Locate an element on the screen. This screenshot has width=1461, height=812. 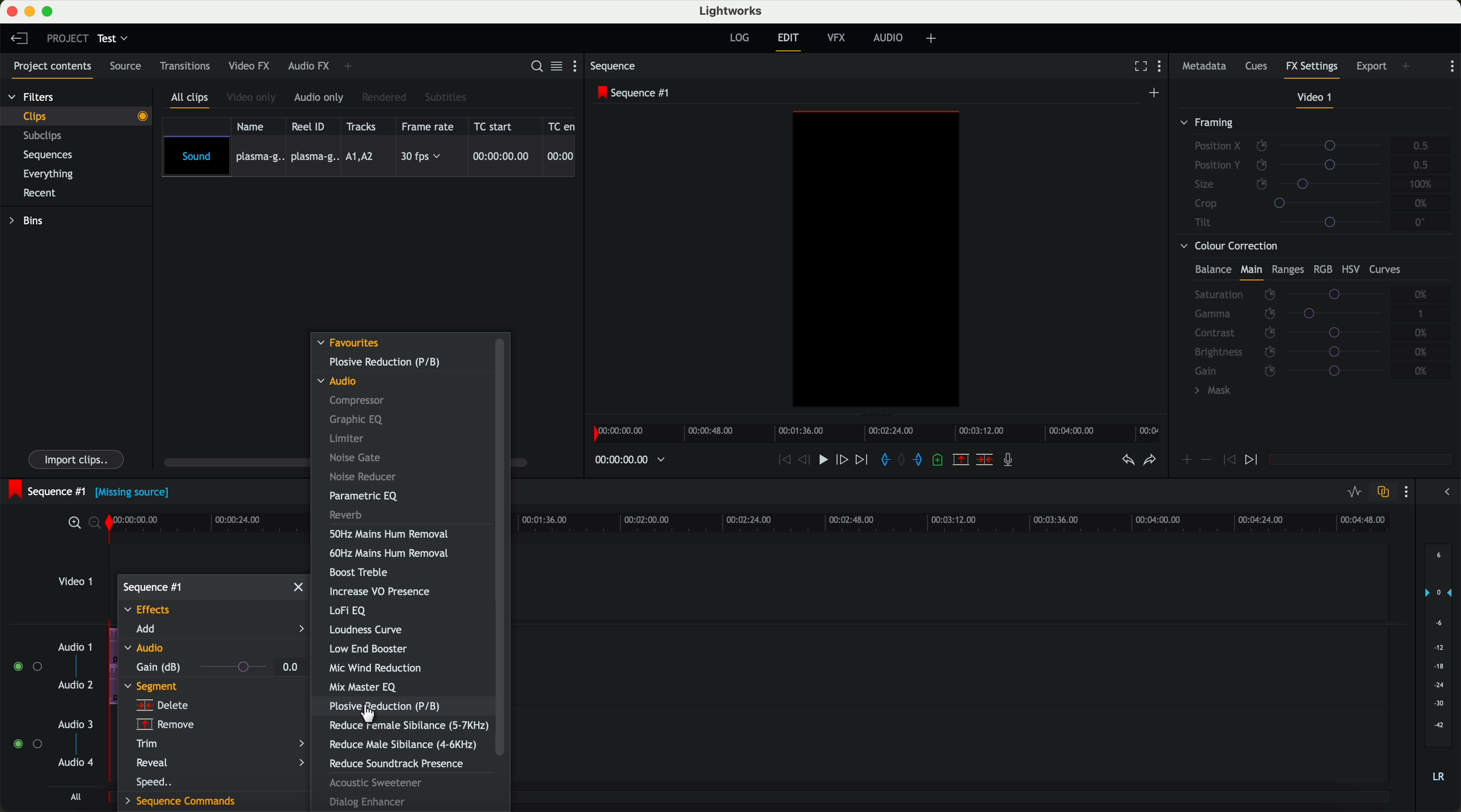
TC start is located at coordinates (498, 126).